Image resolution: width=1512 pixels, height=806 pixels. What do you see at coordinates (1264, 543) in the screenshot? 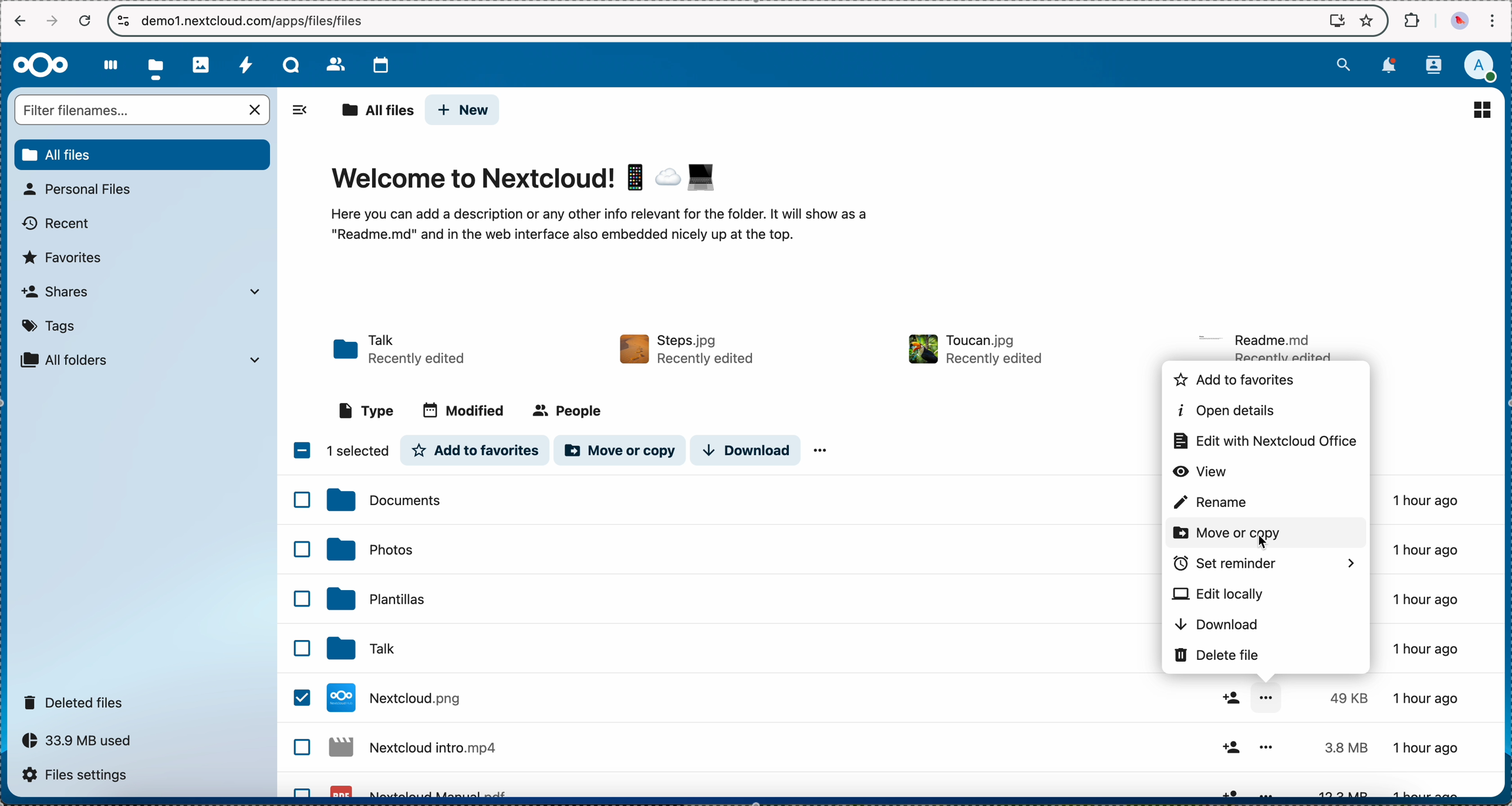
I see `cursor` at bounding box center [1264, 543].